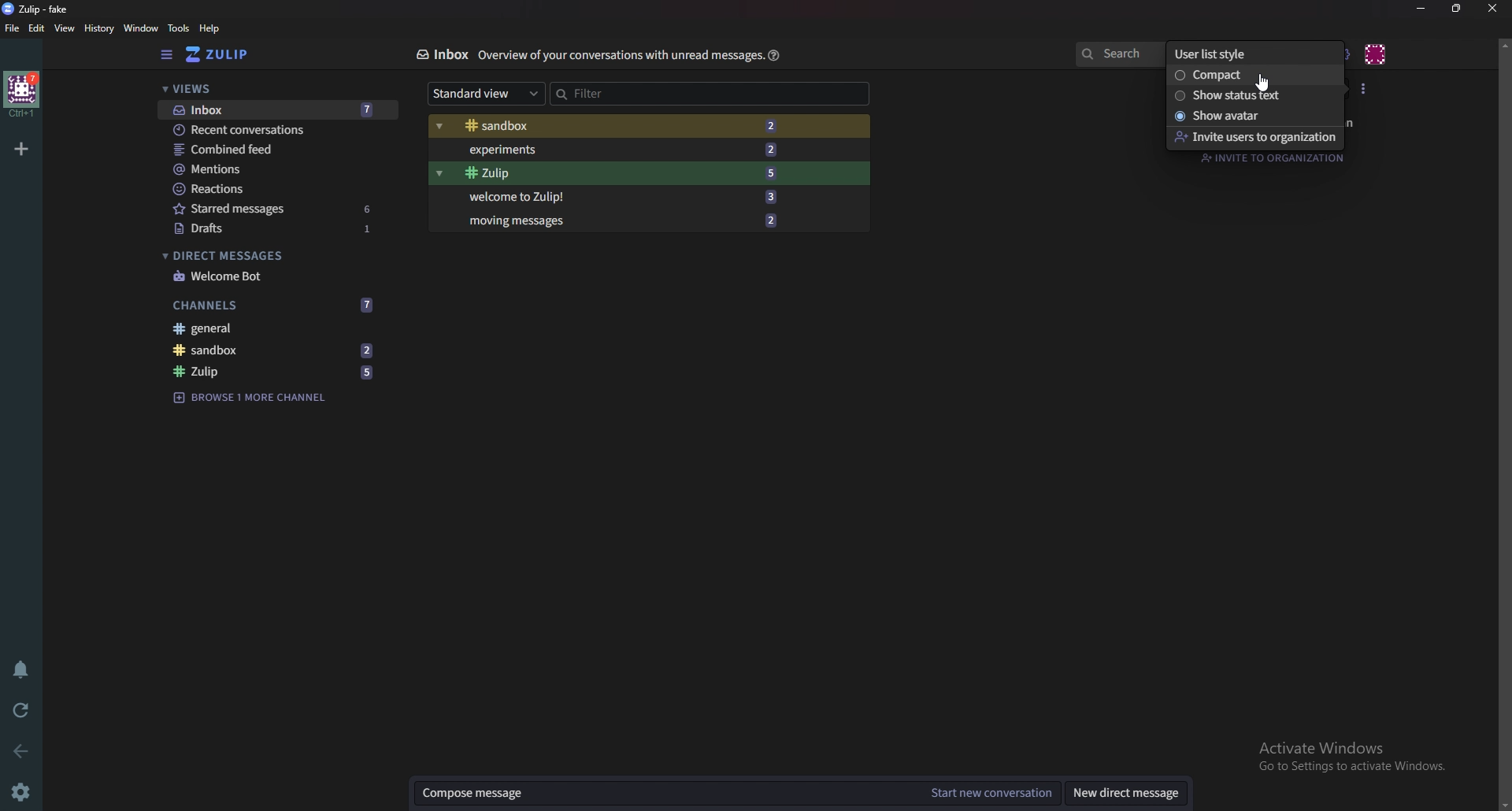 This screenshot has width=1512, height=811. What do you see at coordinates (22, 672) in the screenshot?
I see `Enable do not disturb` at bounding box center [22, 672].